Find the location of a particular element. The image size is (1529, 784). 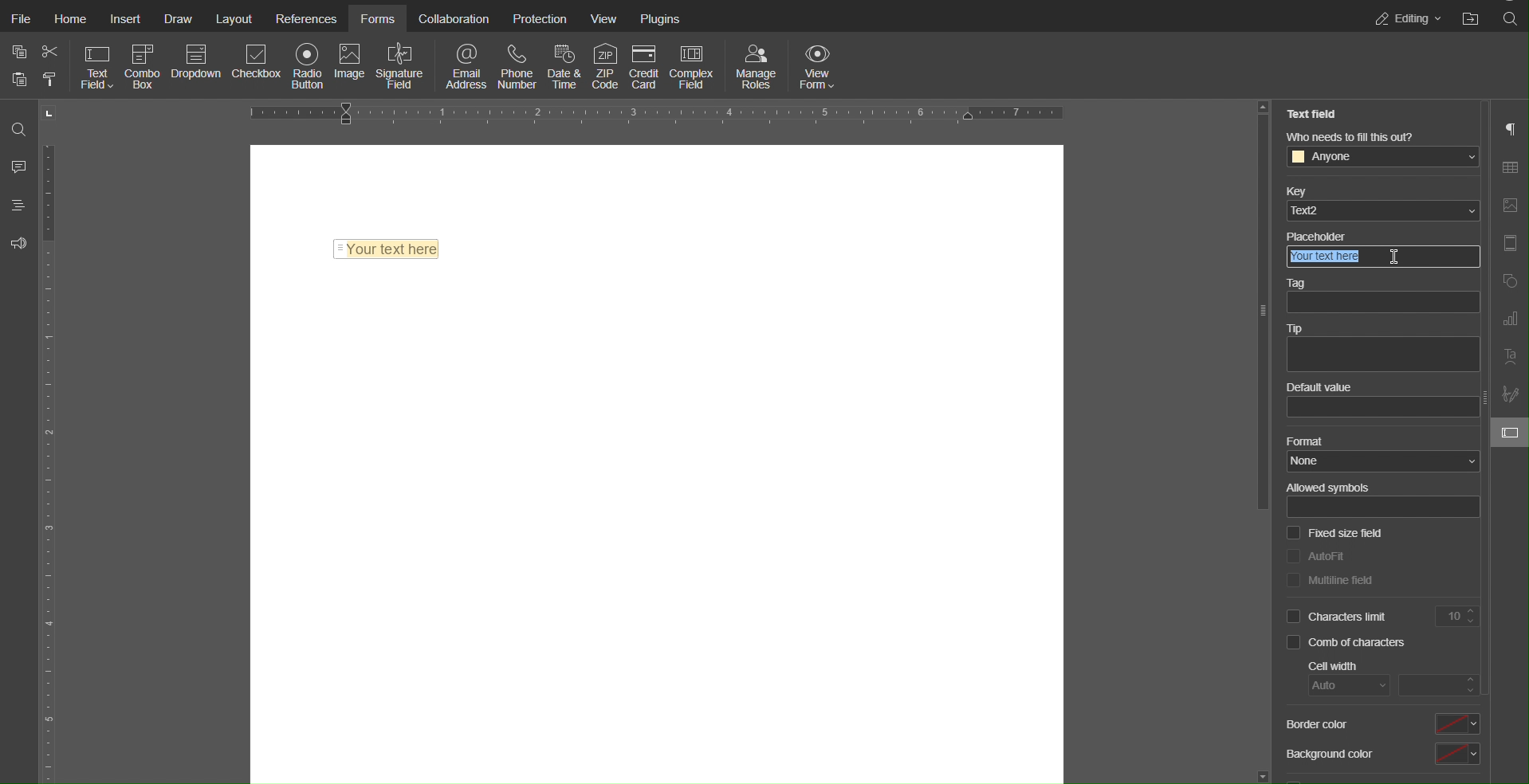

Key is located at coordinates (1379, 202).